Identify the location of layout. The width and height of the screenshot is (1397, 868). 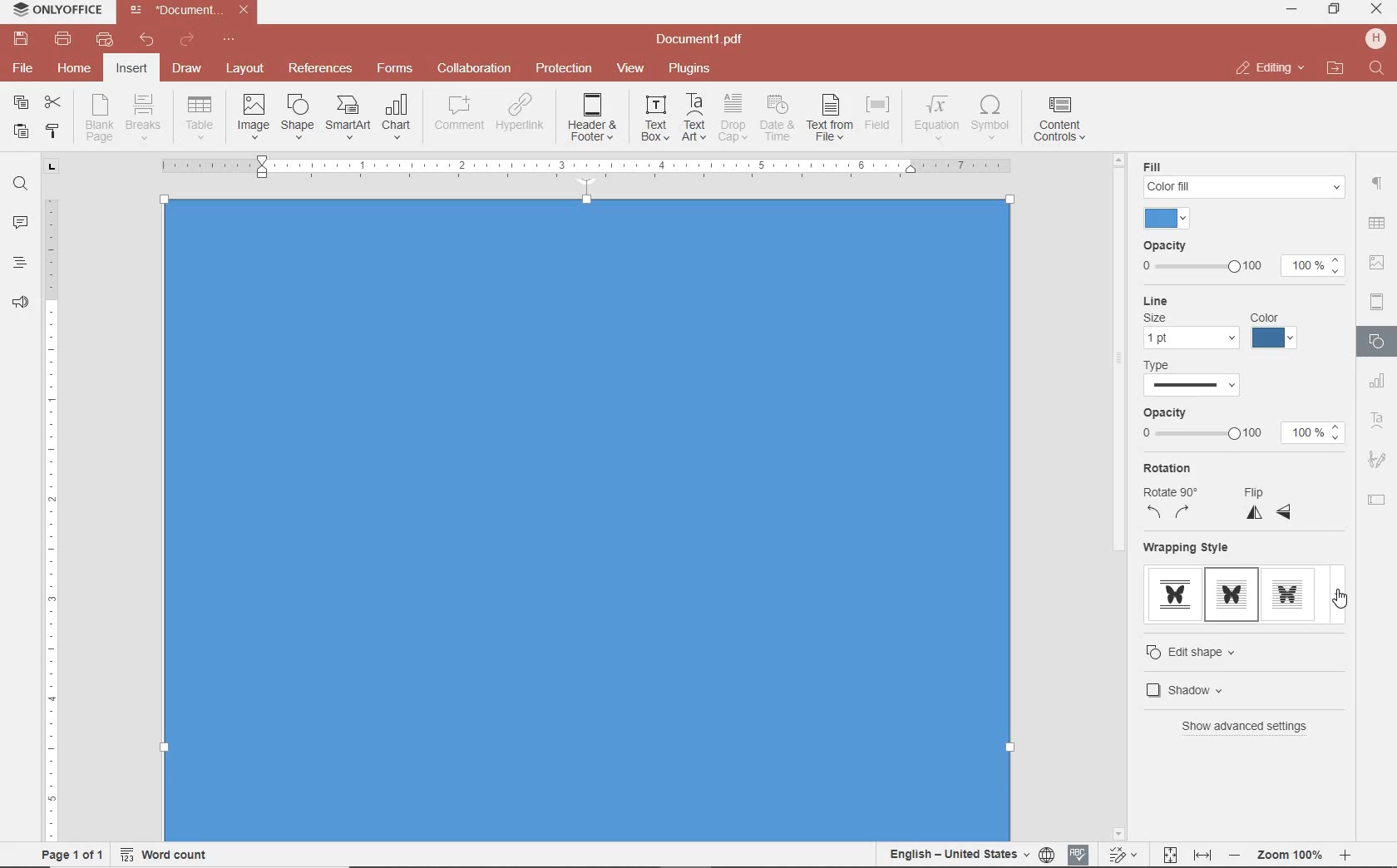
(248, 70).